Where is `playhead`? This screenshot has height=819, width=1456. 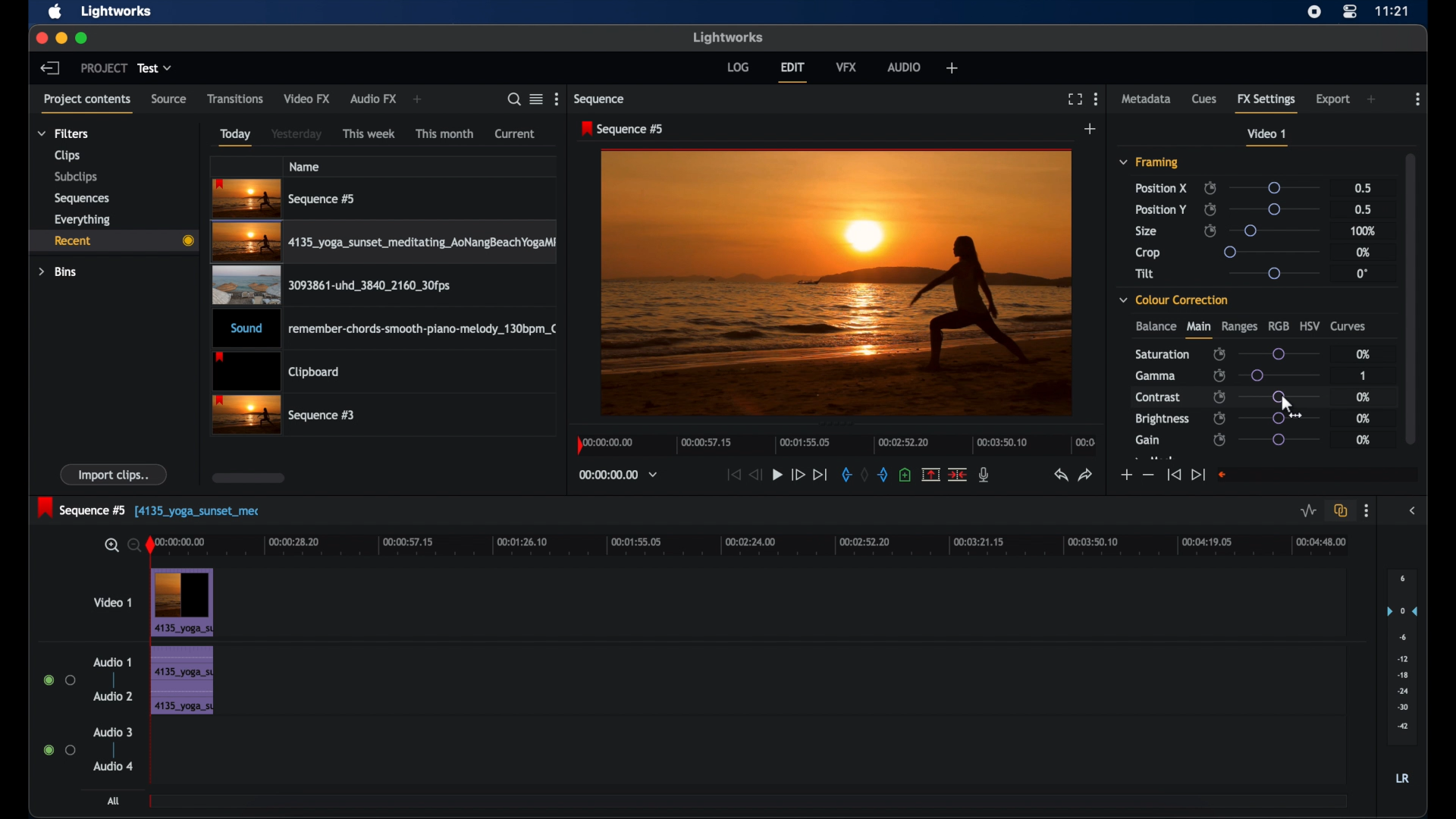 playhead is located at coordinates (151, 546).